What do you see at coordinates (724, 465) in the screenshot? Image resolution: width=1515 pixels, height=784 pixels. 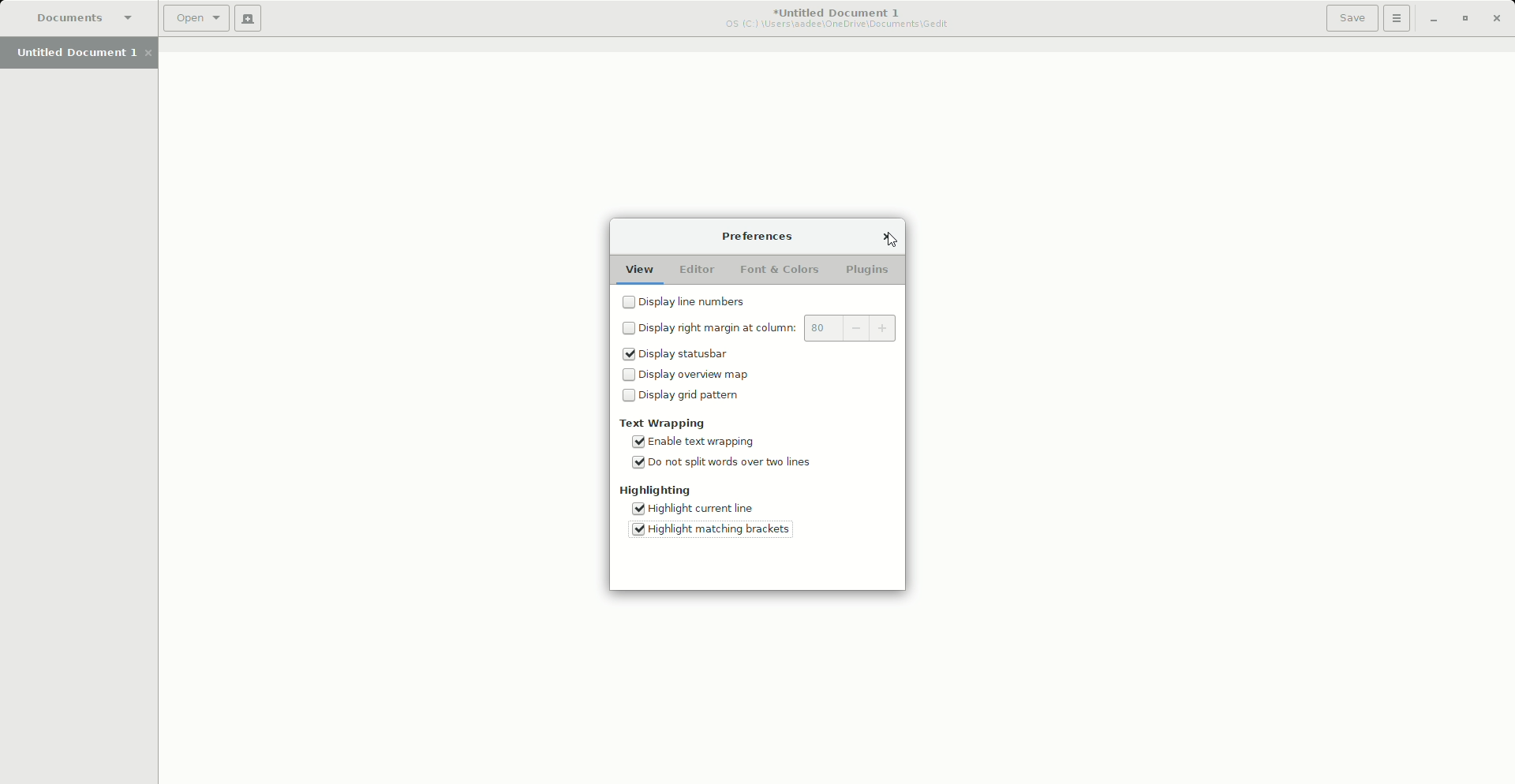 I see `Do not split words over two lines` at bounding box center [724, 465].